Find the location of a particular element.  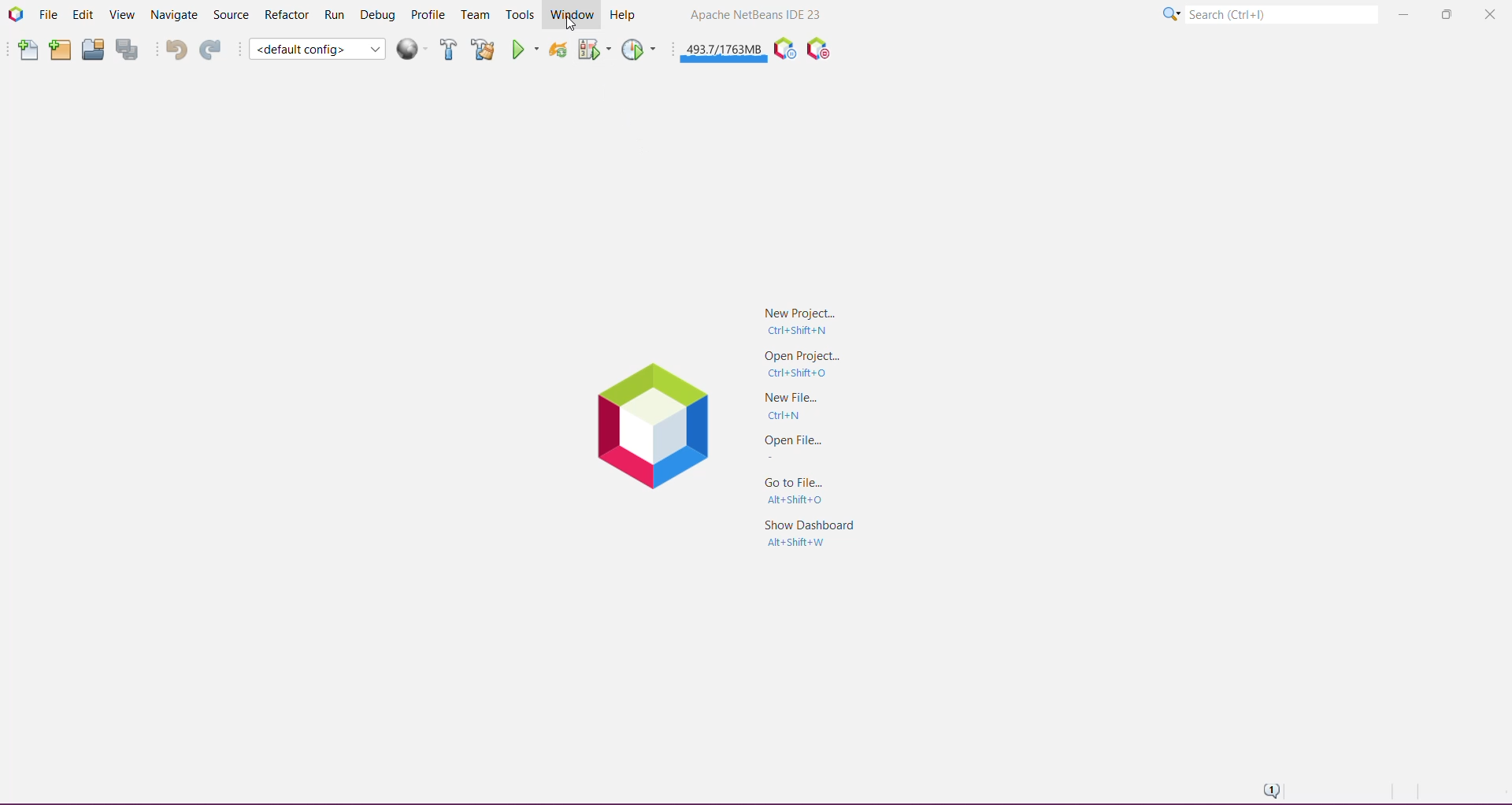

Set Project Configuration is located at coordinates (317, 49).